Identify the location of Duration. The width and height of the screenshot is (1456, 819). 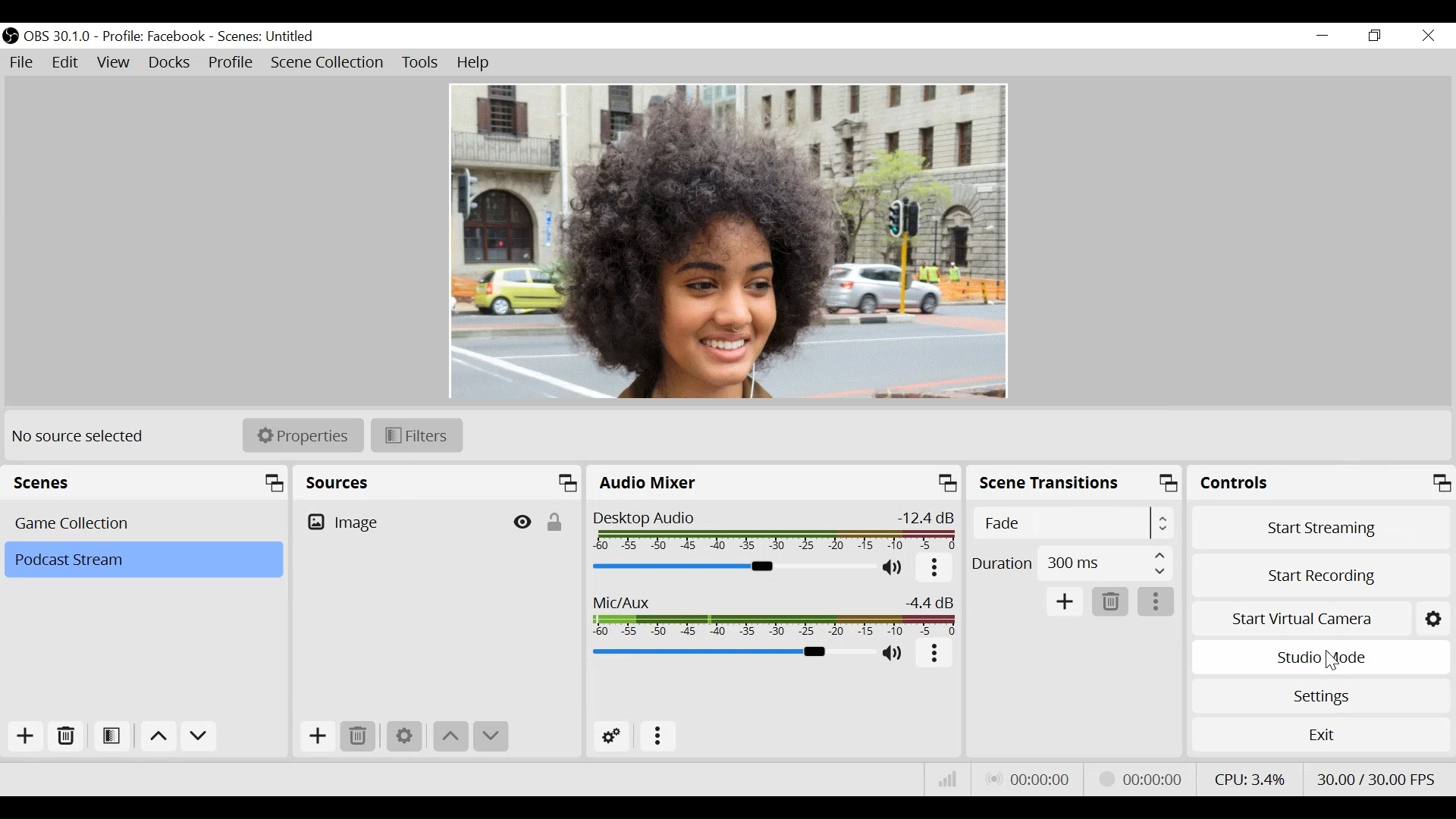
(1073, 562).